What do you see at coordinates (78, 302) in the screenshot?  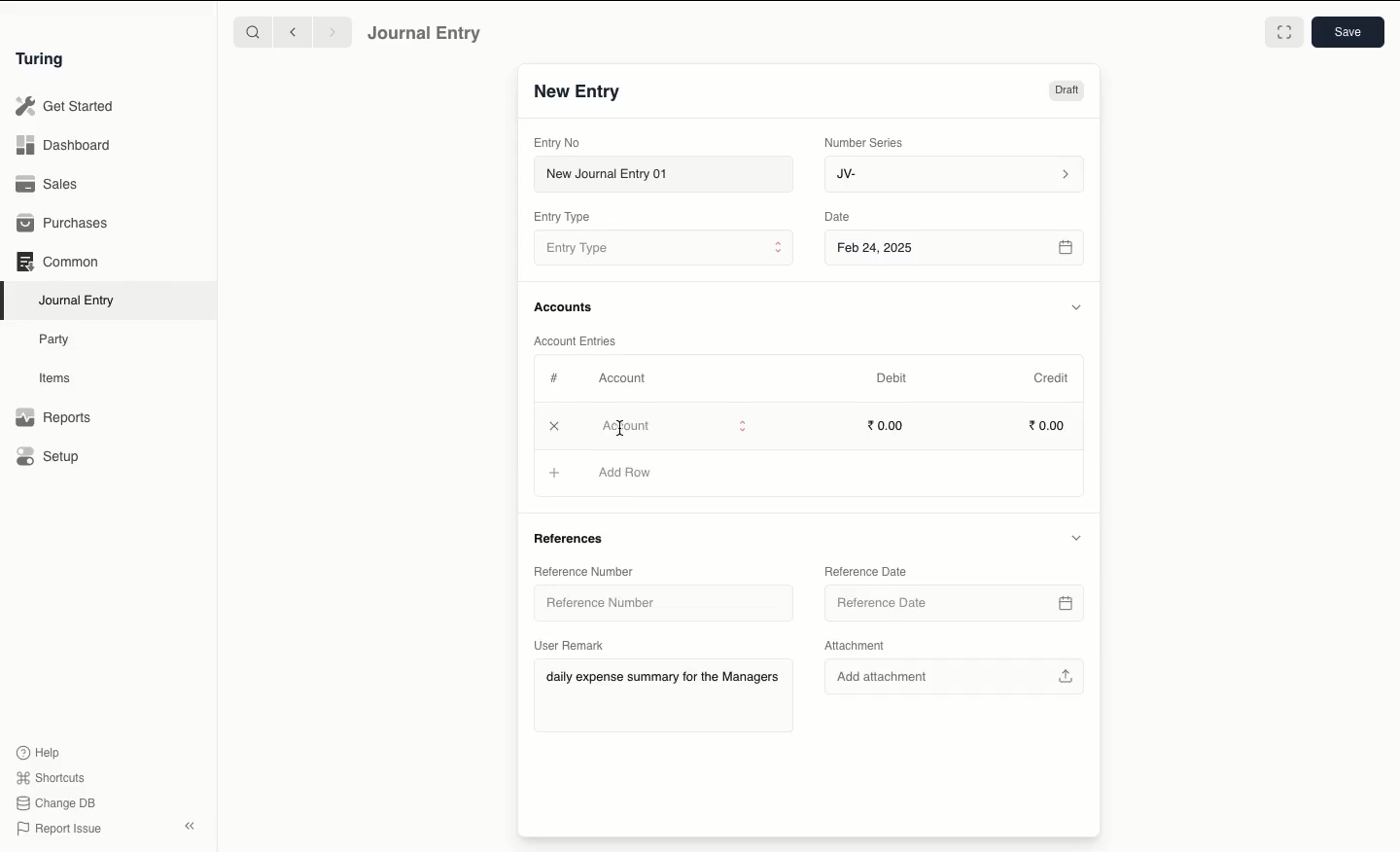 I see `Journal Entry` at bounding box center [78, 302].